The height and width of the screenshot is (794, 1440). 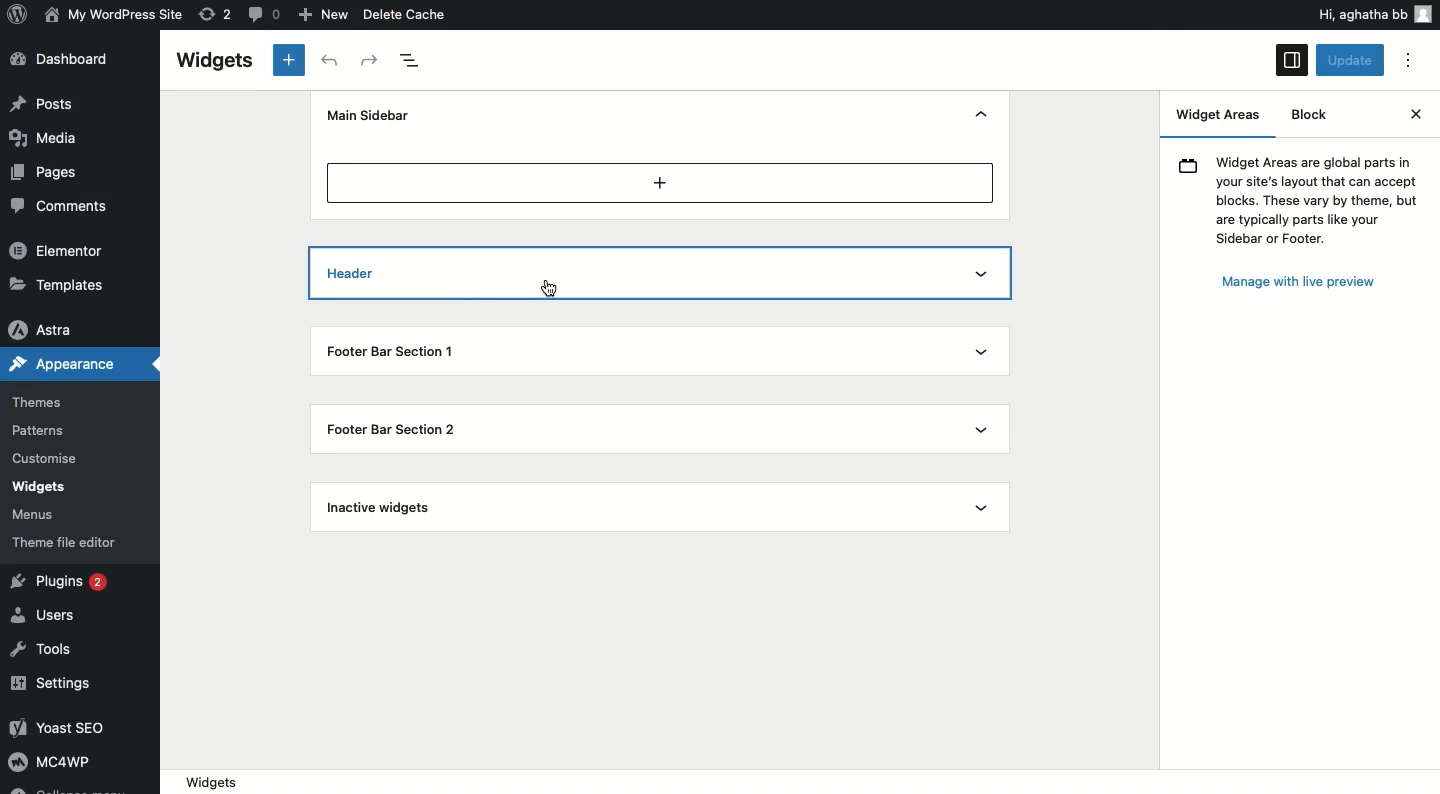 What do you see at coordinates (62, 362) in the screenshot?
I see `Appearance` at bounding box center [62, 362].